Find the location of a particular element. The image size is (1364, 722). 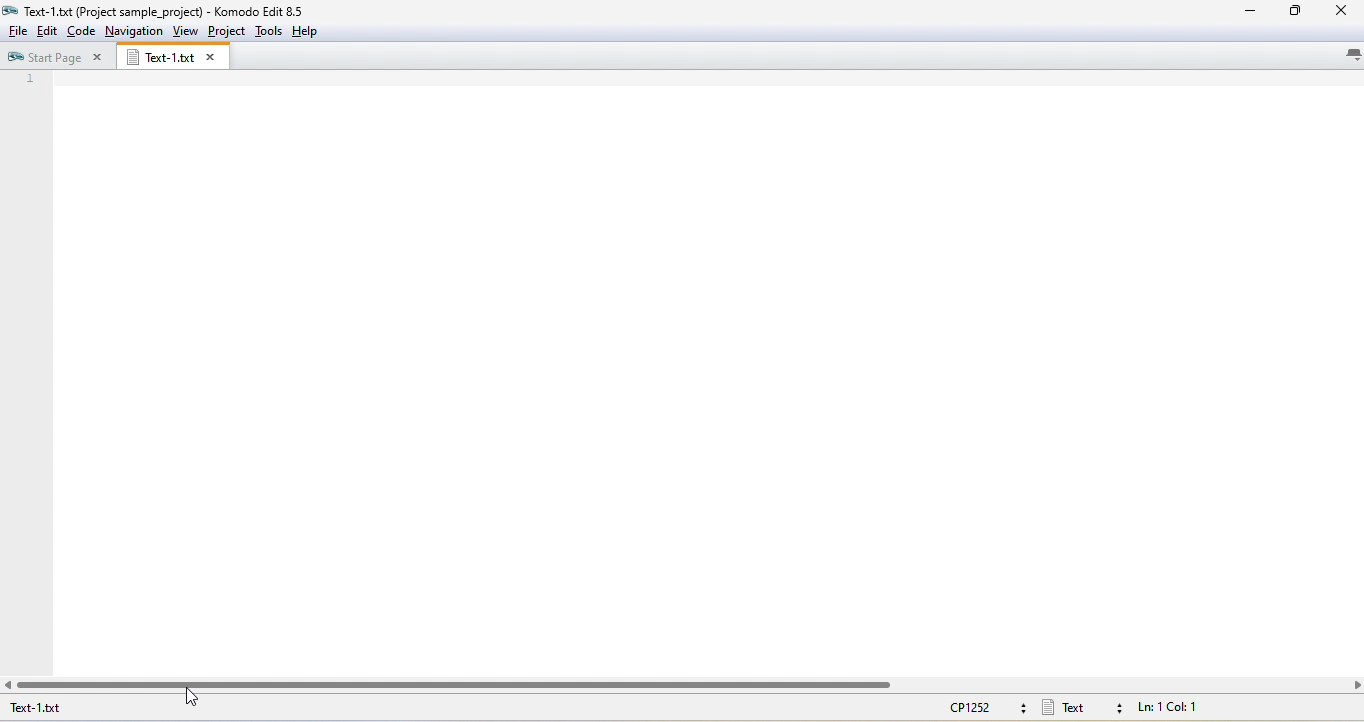

edit is located at coordinates (48, 31).